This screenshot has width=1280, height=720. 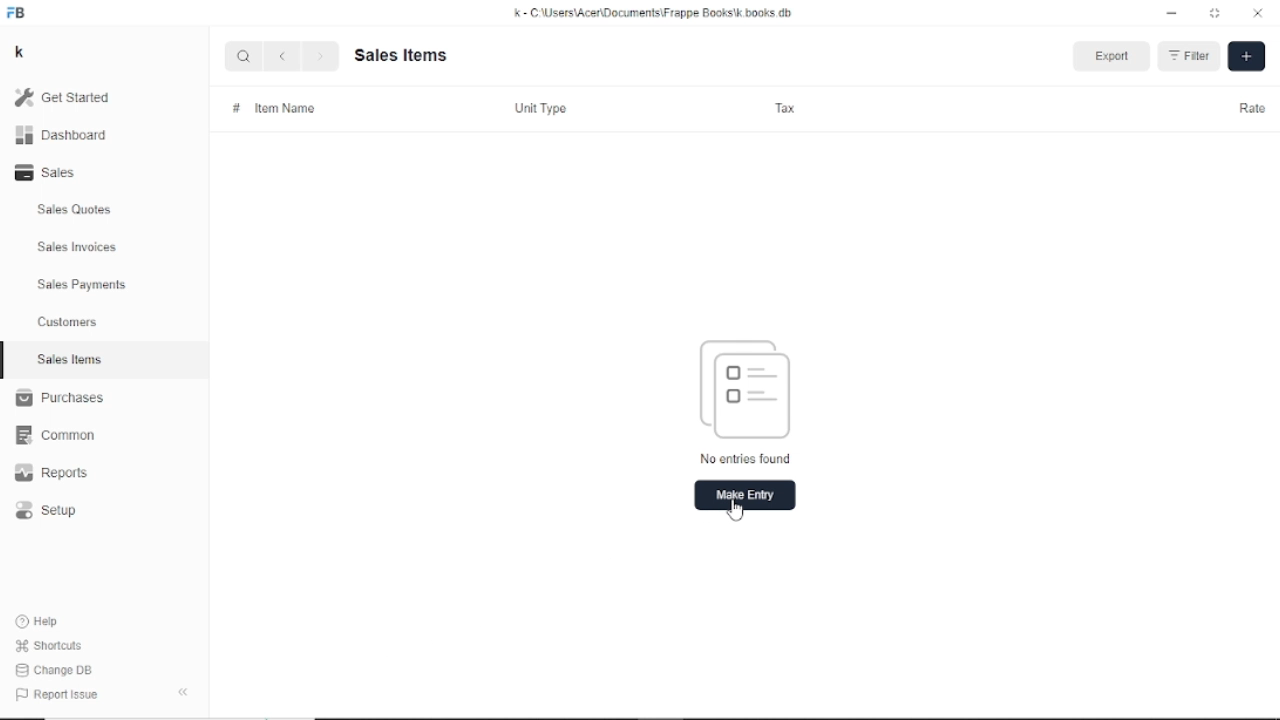 I want to click on Item Name, so click(x=286, y=106).